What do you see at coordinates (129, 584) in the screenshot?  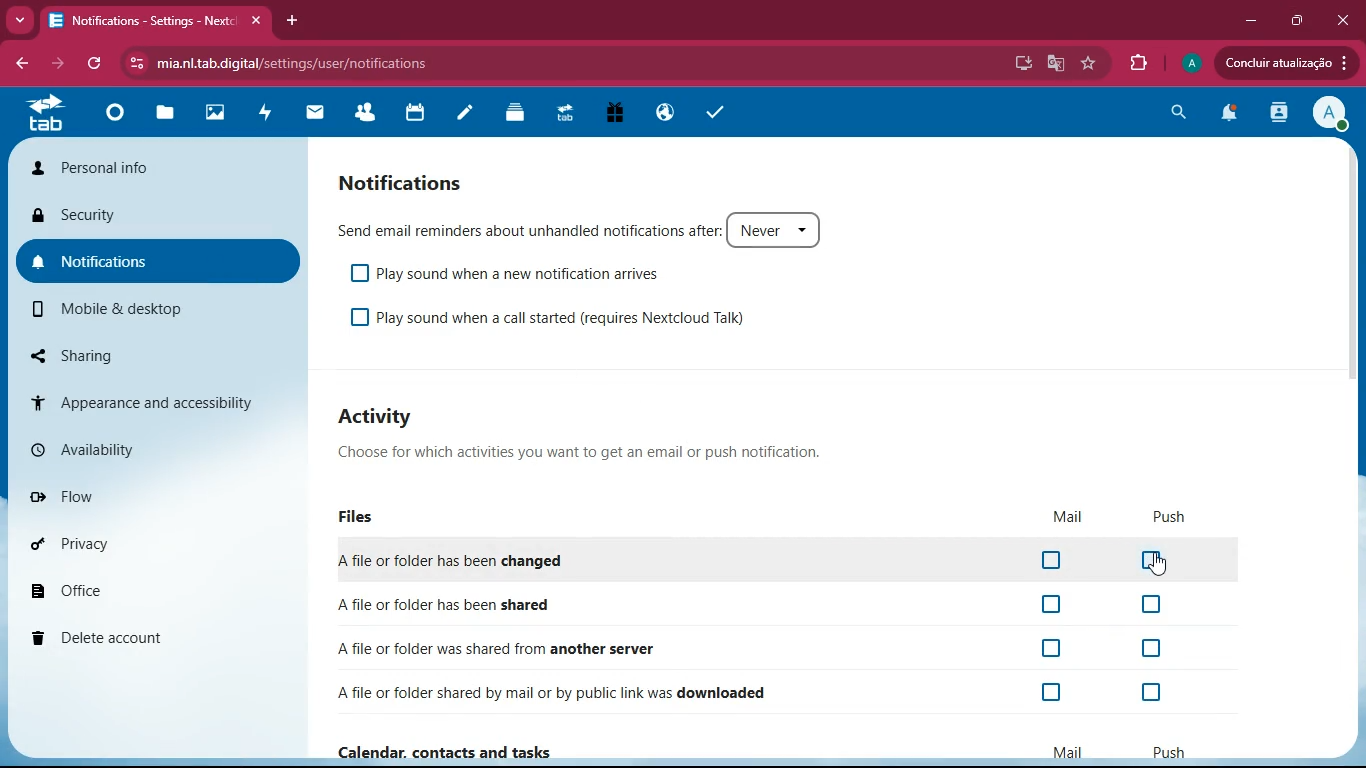 I see `office` at bounding box center [129, 584].